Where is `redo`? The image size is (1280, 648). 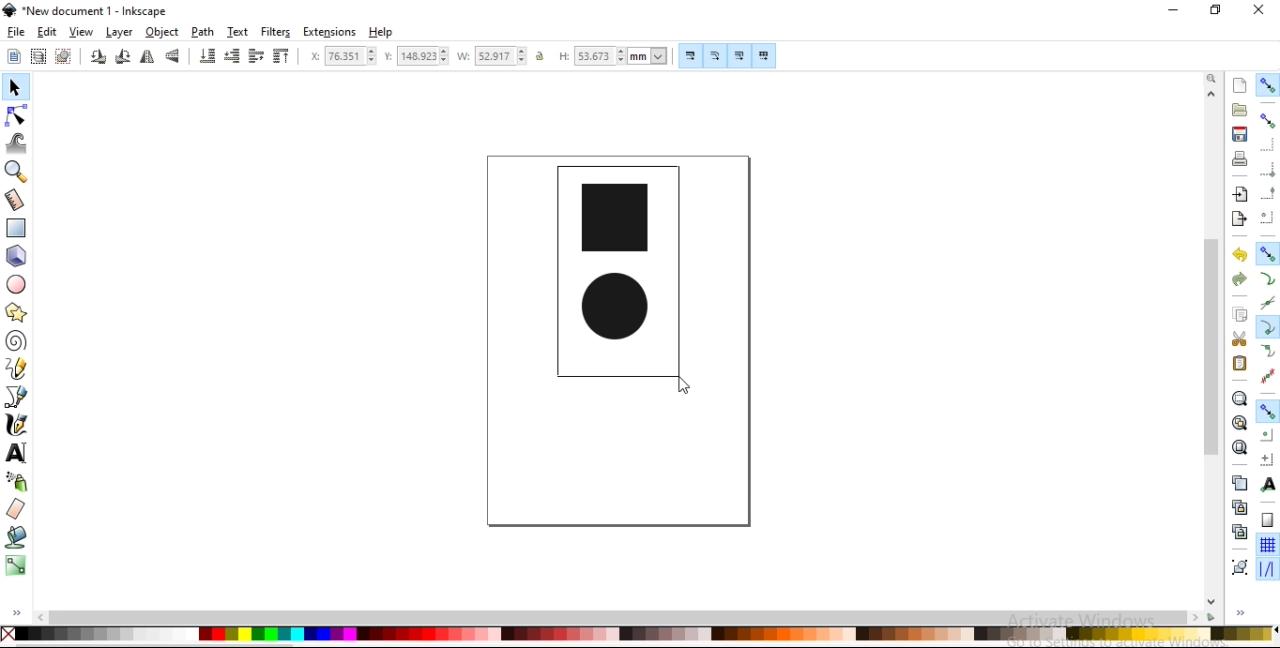
redo is located at coordinates (1237, 279).